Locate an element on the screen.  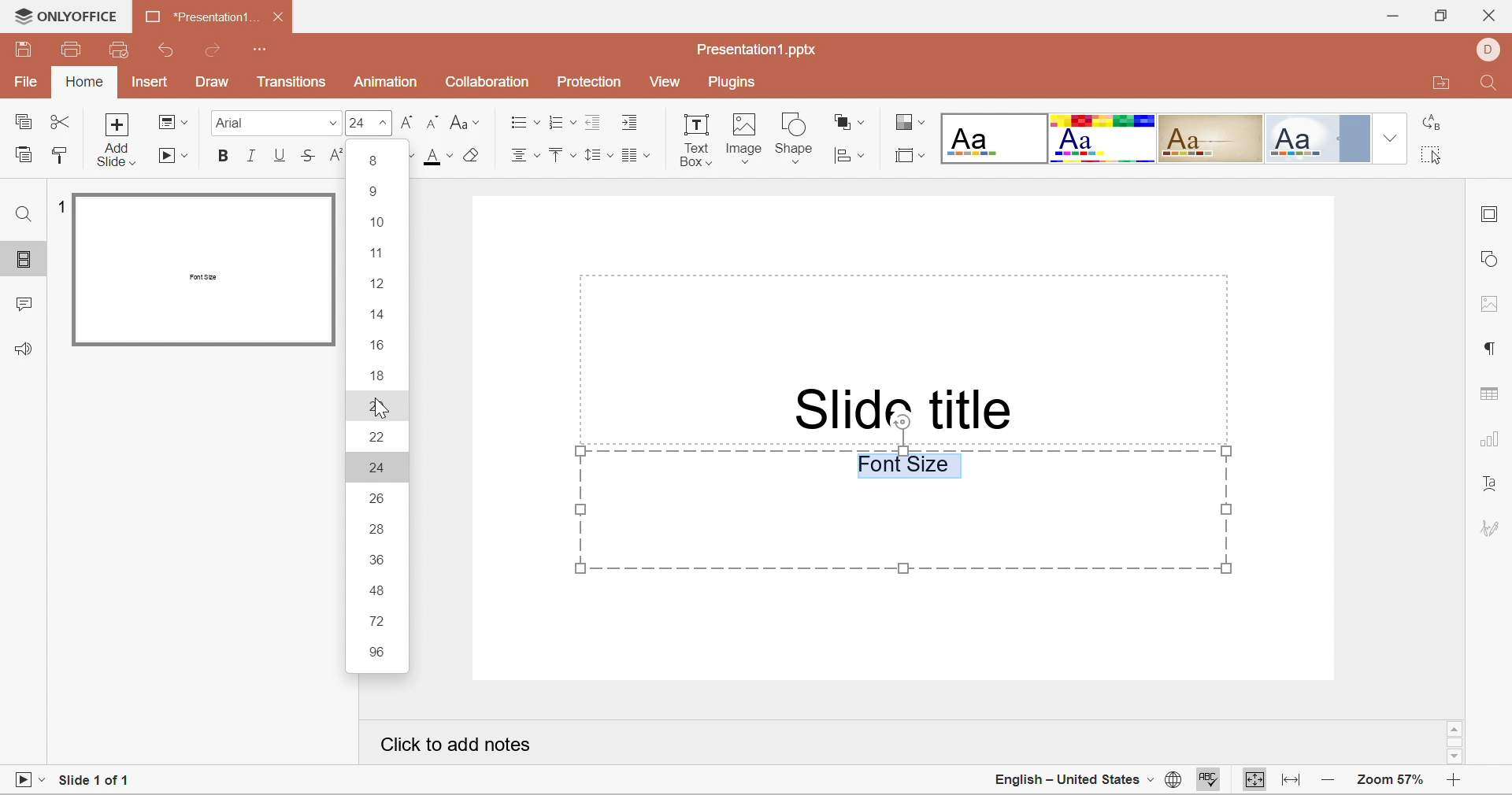
12 is located at coordinates (379, 283).